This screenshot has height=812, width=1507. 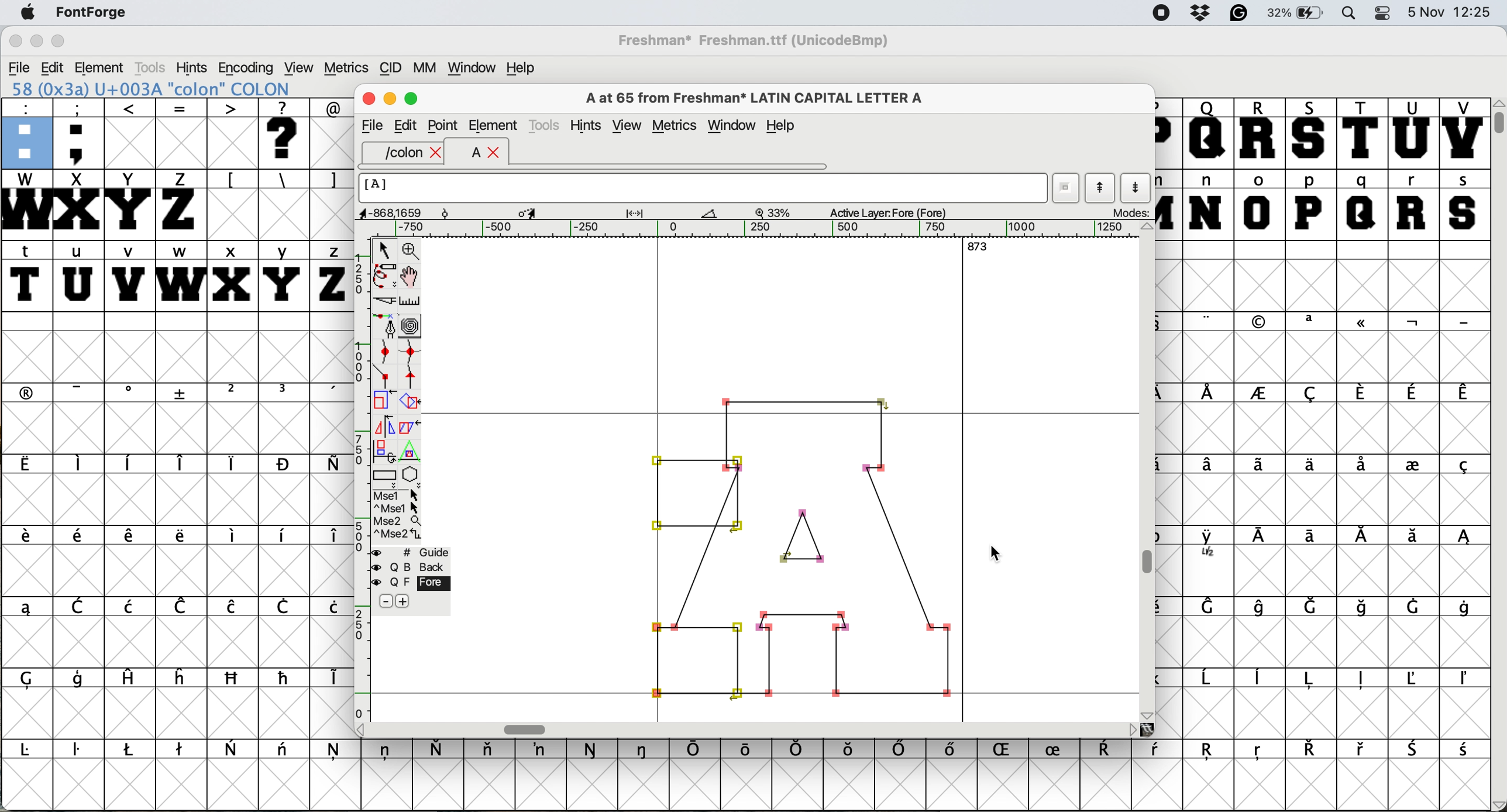 I want to click on symbol, so click(x=1416, y=749).